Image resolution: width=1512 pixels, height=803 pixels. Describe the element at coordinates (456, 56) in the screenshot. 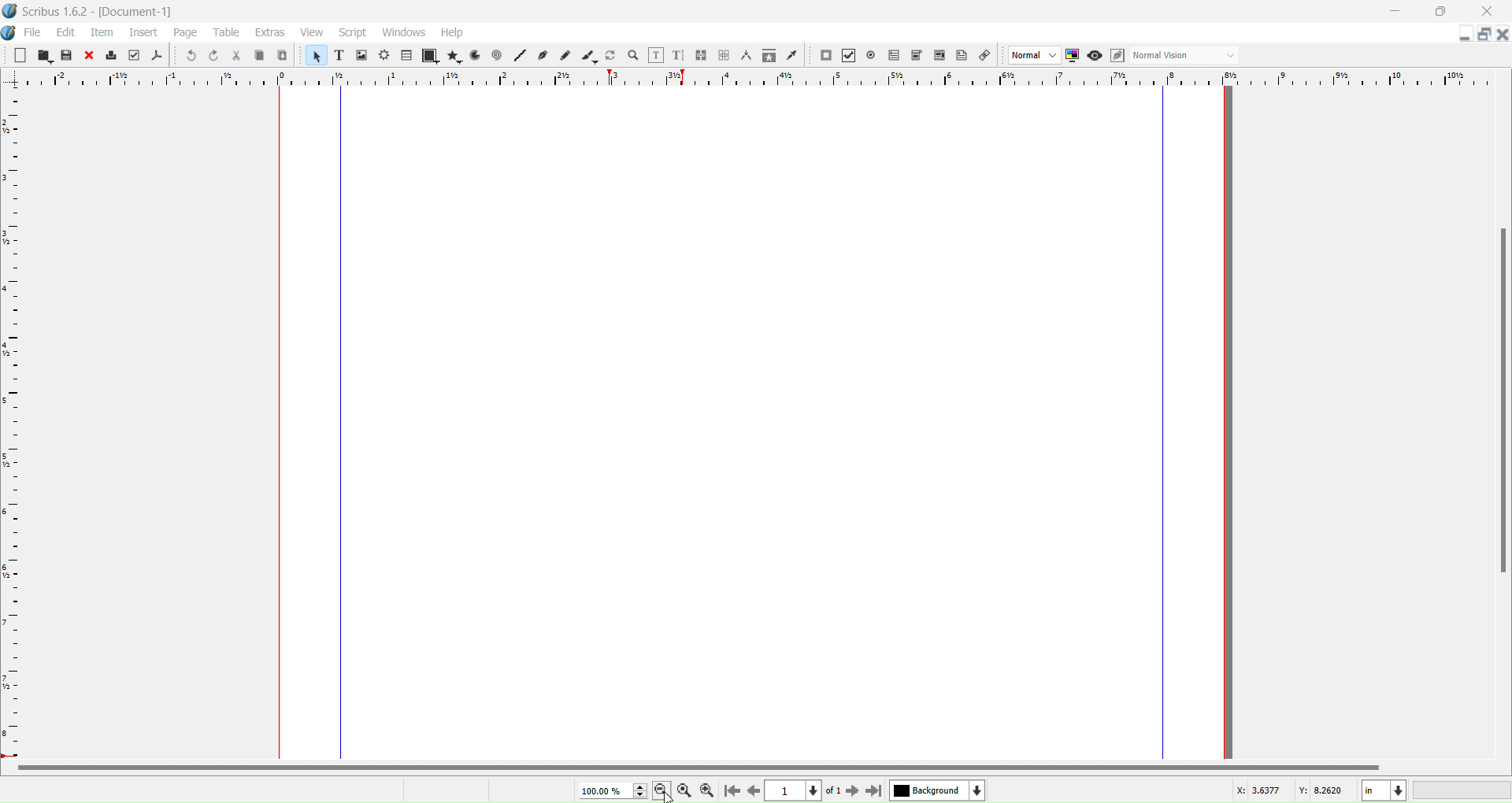

I see `Polygon` at that location.